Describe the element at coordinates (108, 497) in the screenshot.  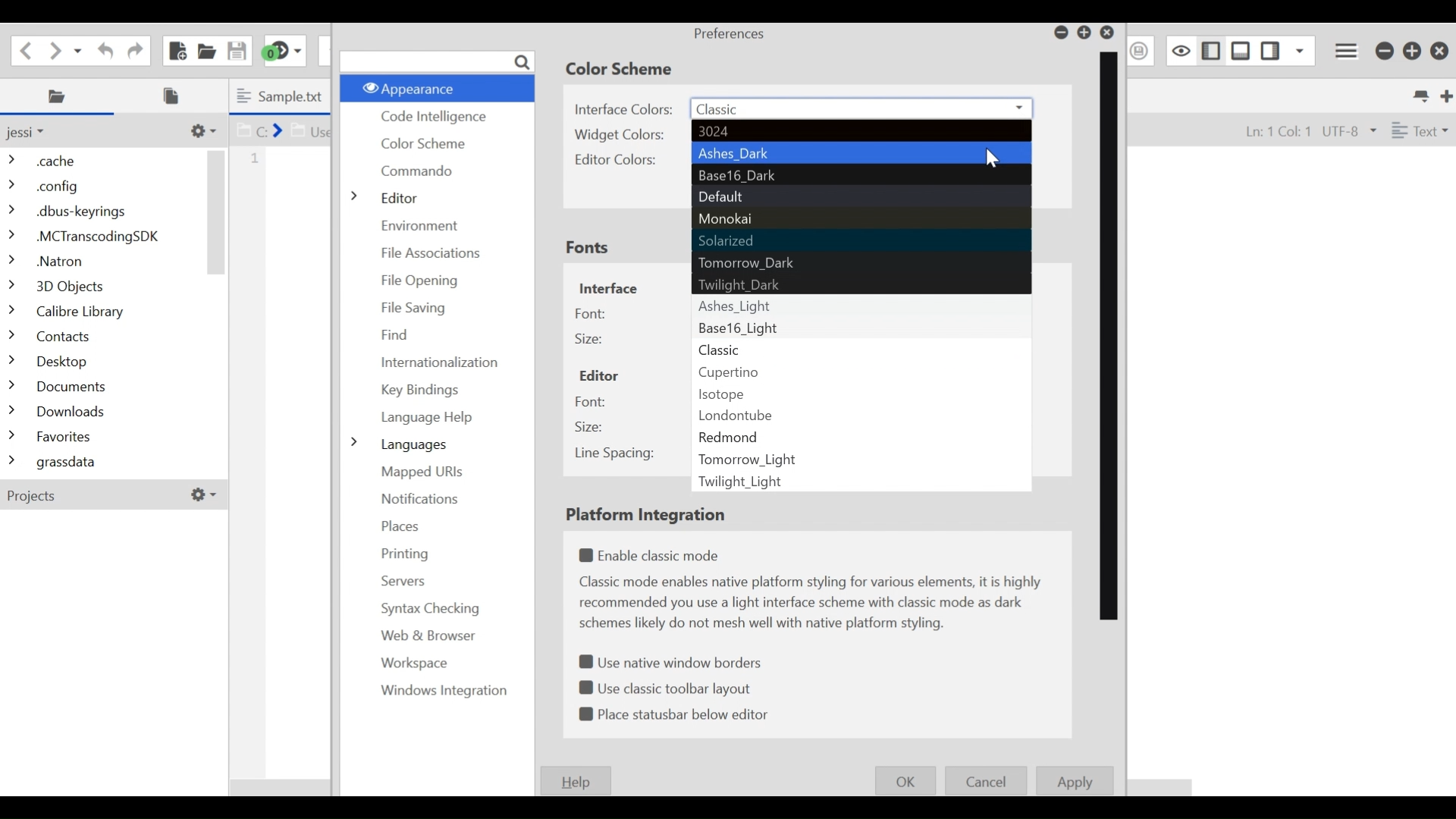
I see `projects` at that location.